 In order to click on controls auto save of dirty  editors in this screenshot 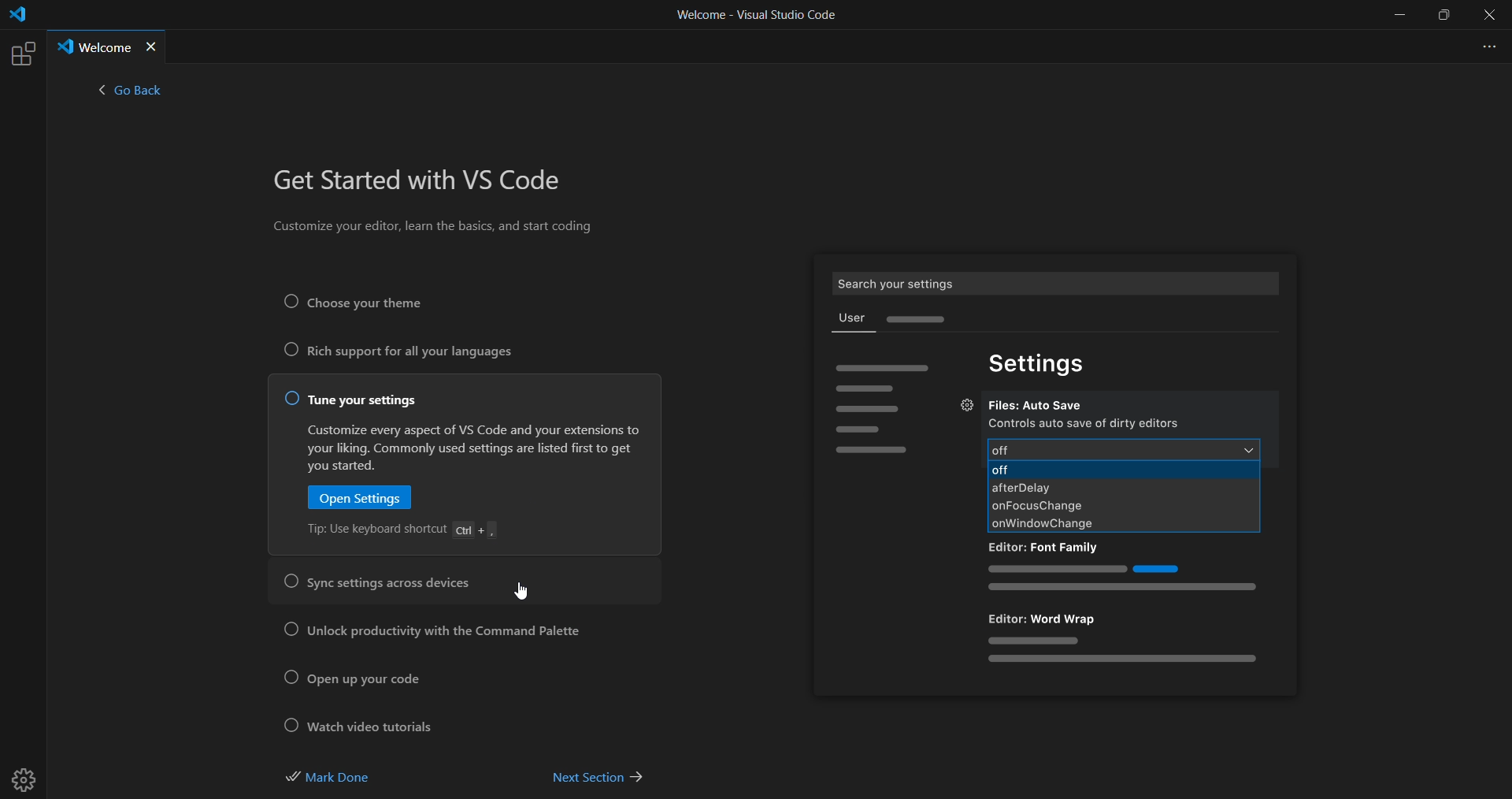, I will do `click(1091, 424)`.